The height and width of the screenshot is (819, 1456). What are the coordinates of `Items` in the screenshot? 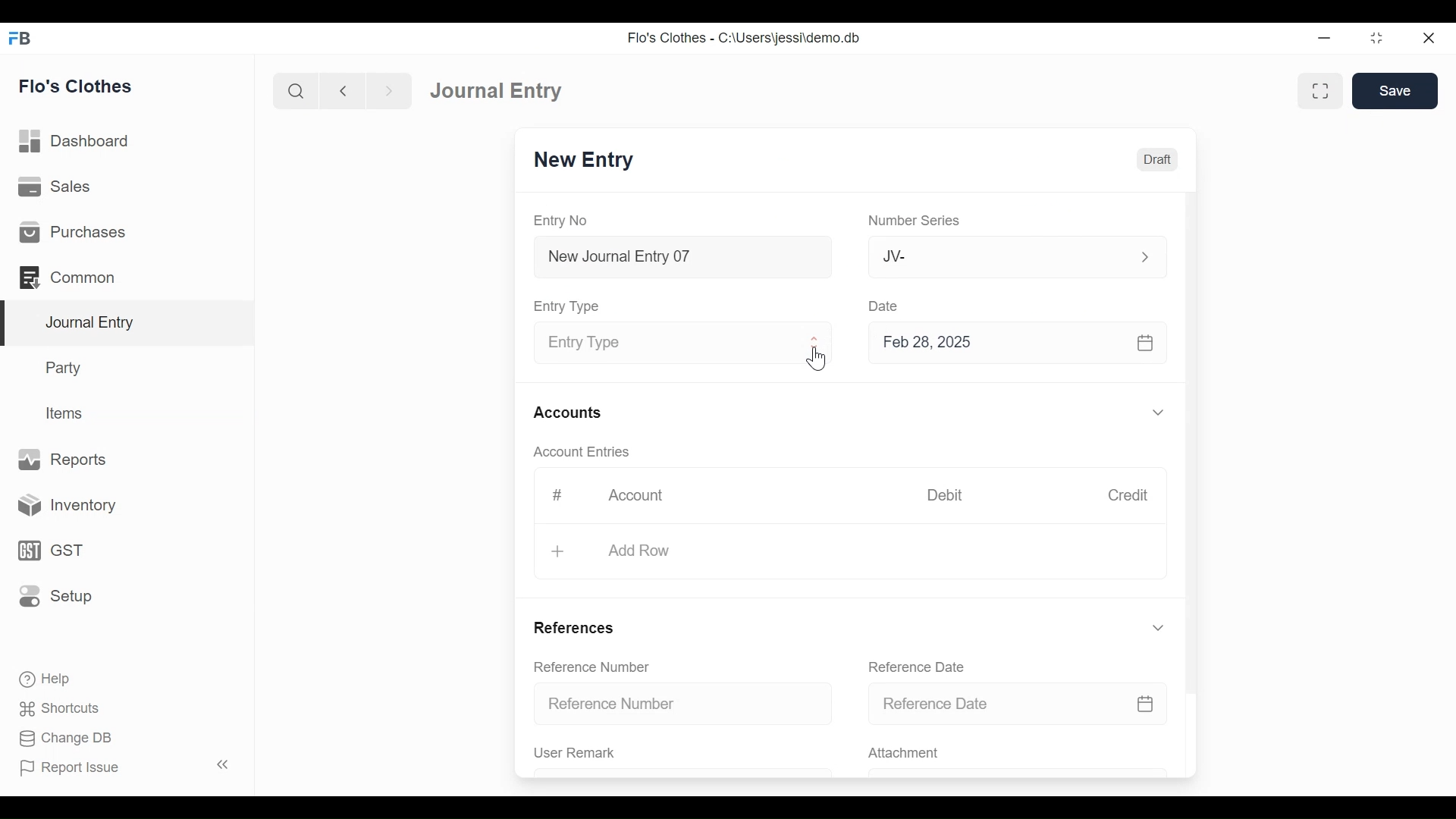 It's located at (67, 413).